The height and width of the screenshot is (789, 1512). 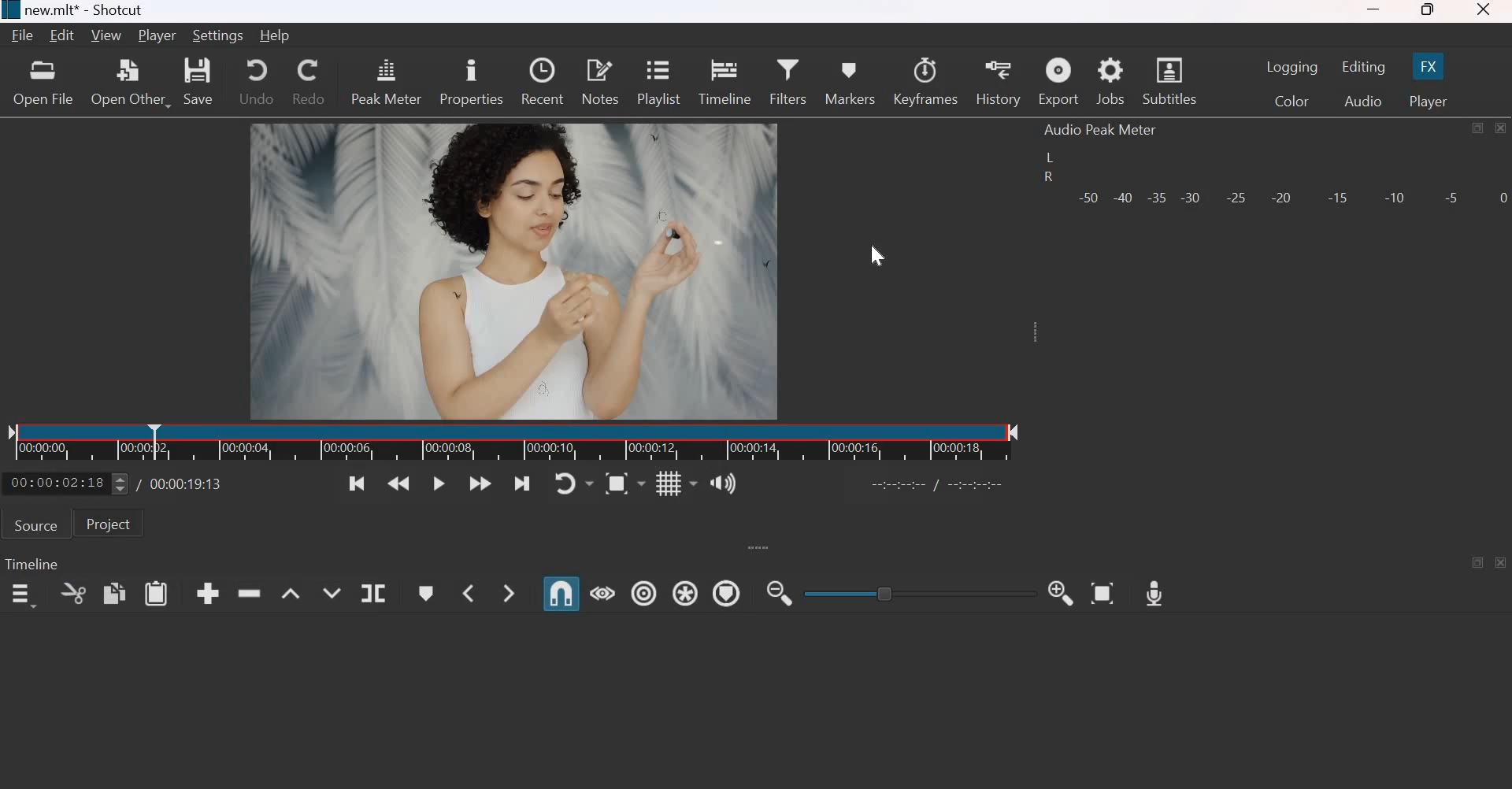 What do you see at coordinates (35, 524) in the screenshot?
I see `Source` at bounding box center [35, 524].